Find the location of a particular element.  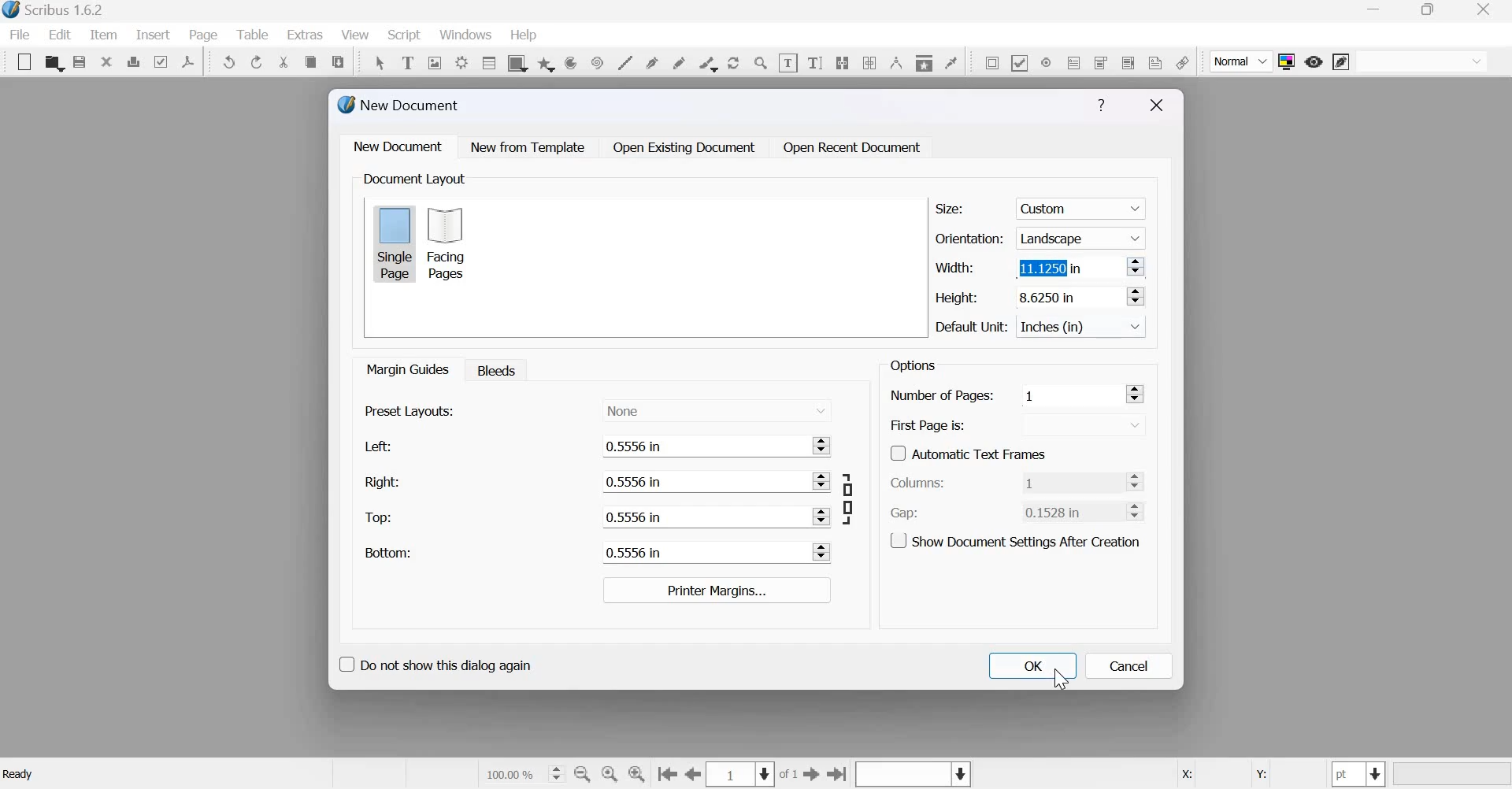

help is located at coordinates (524, 35).